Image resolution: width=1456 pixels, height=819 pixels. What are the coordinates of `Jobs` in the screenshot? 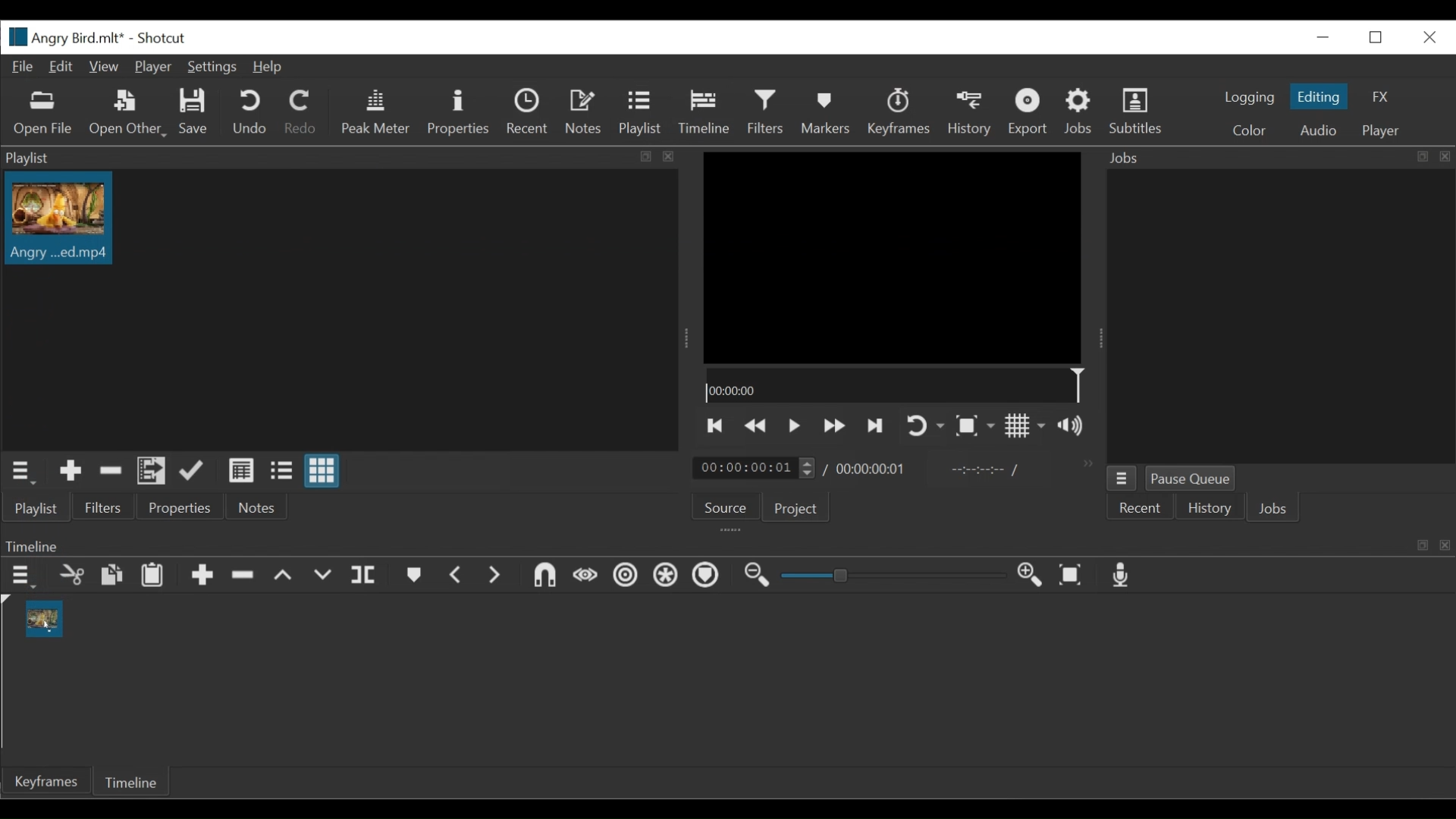 It's located at (1273, 507).